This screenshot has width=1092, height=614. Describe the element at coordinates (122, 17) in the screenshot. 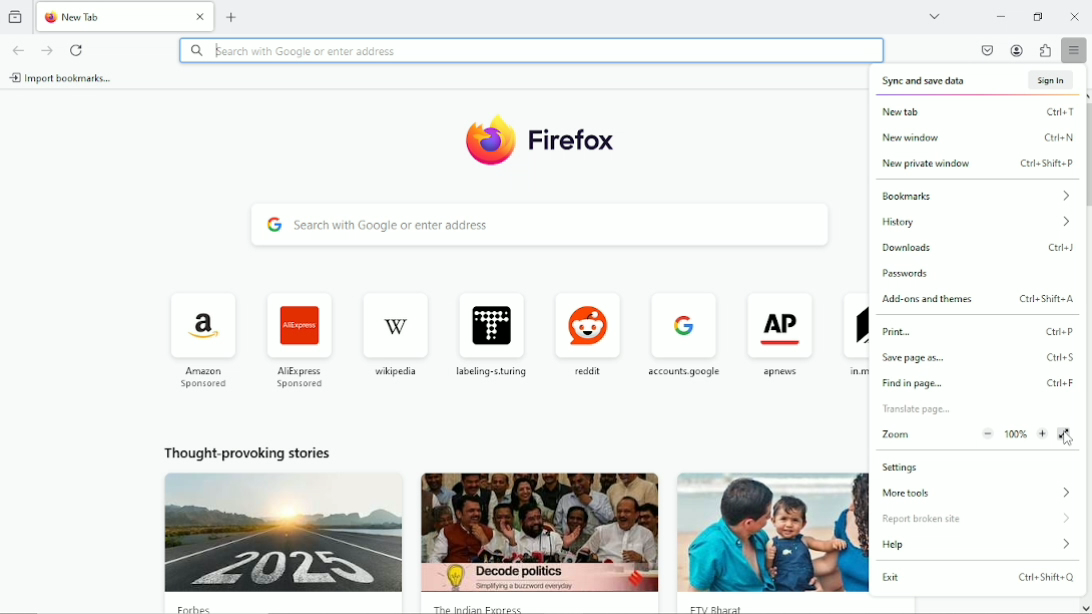

I see `new tab` at that location.